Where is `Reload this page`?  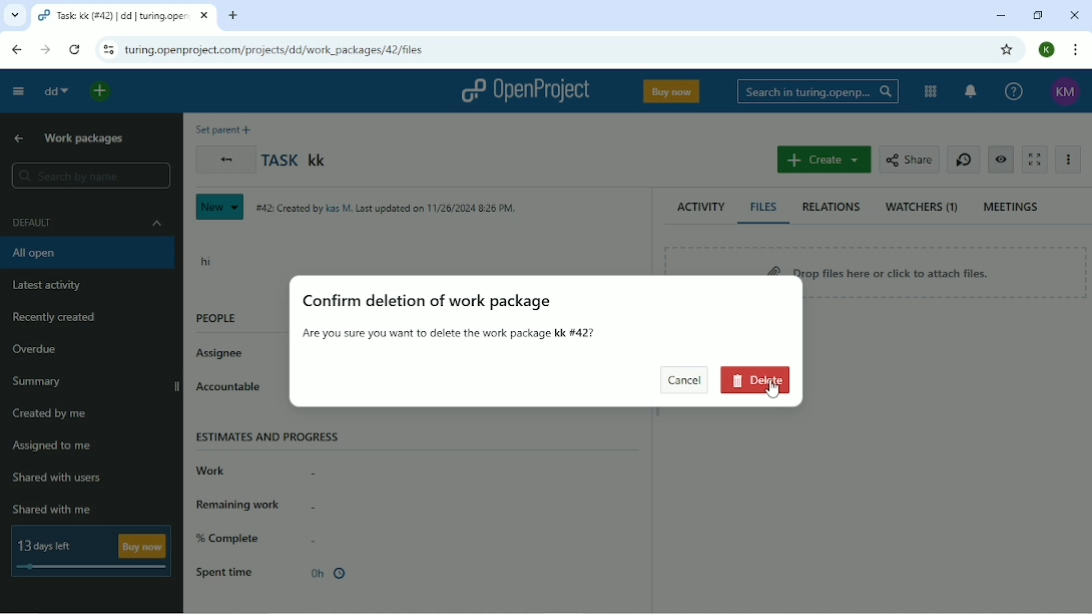 Reload this page is located at coordinates (76, 51).